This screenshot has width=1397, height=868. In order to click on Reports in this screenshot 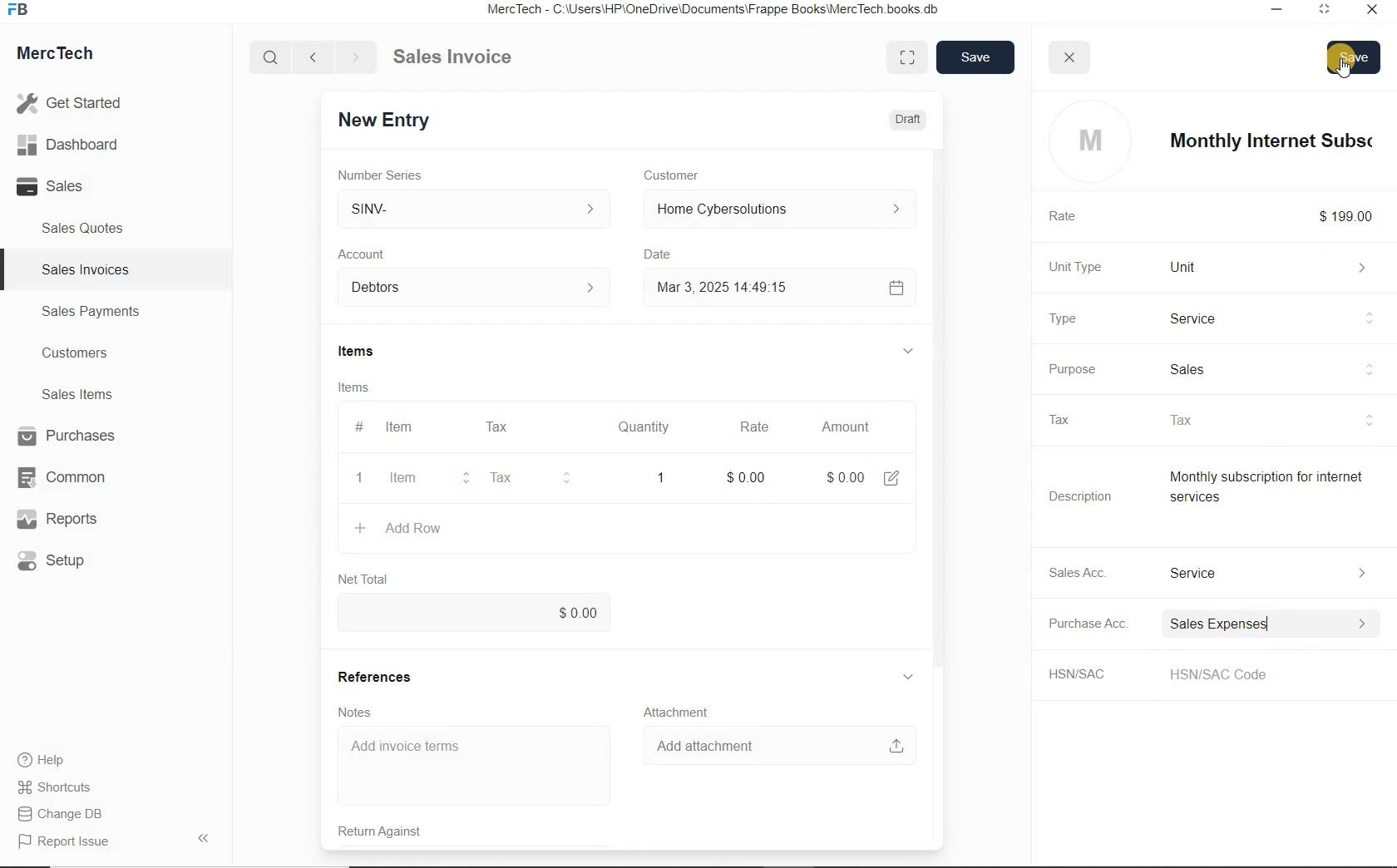, I will do `click(70, 520)`.